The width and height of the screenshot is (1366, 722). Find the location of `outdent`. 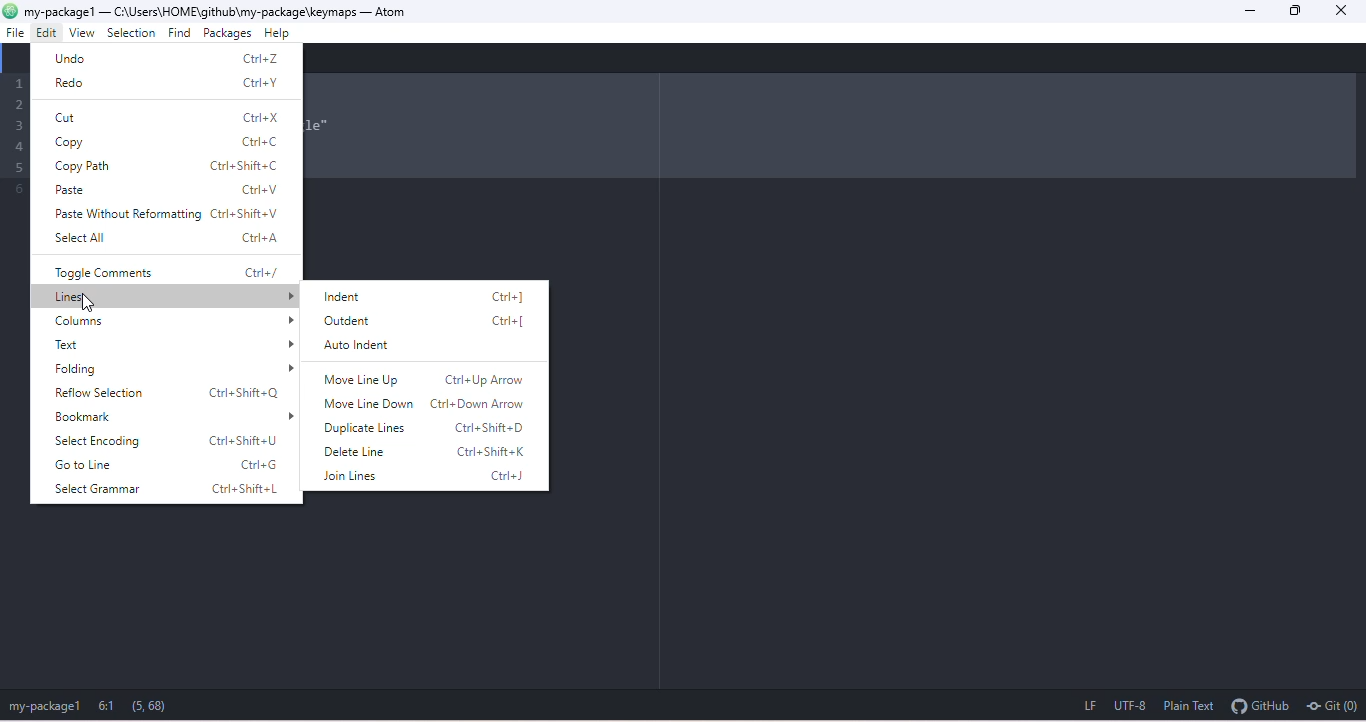

outdent is located at coordinates (427, 321).